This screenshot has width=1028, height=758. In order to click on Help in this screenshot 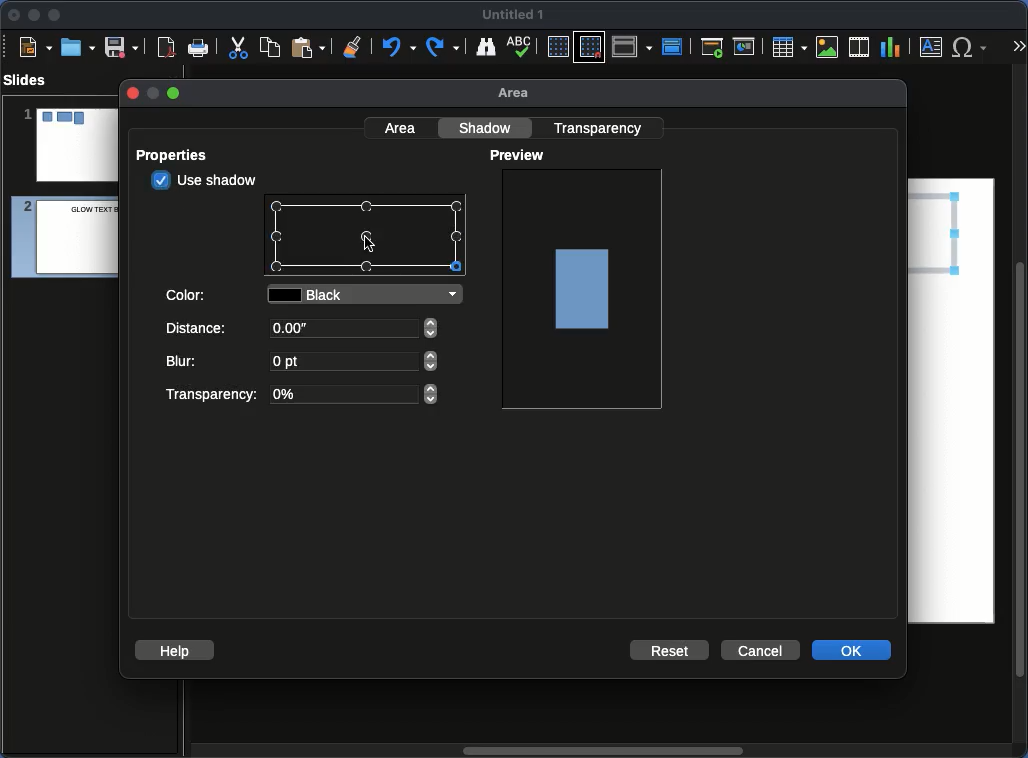, I will do `click(175, 649)`.